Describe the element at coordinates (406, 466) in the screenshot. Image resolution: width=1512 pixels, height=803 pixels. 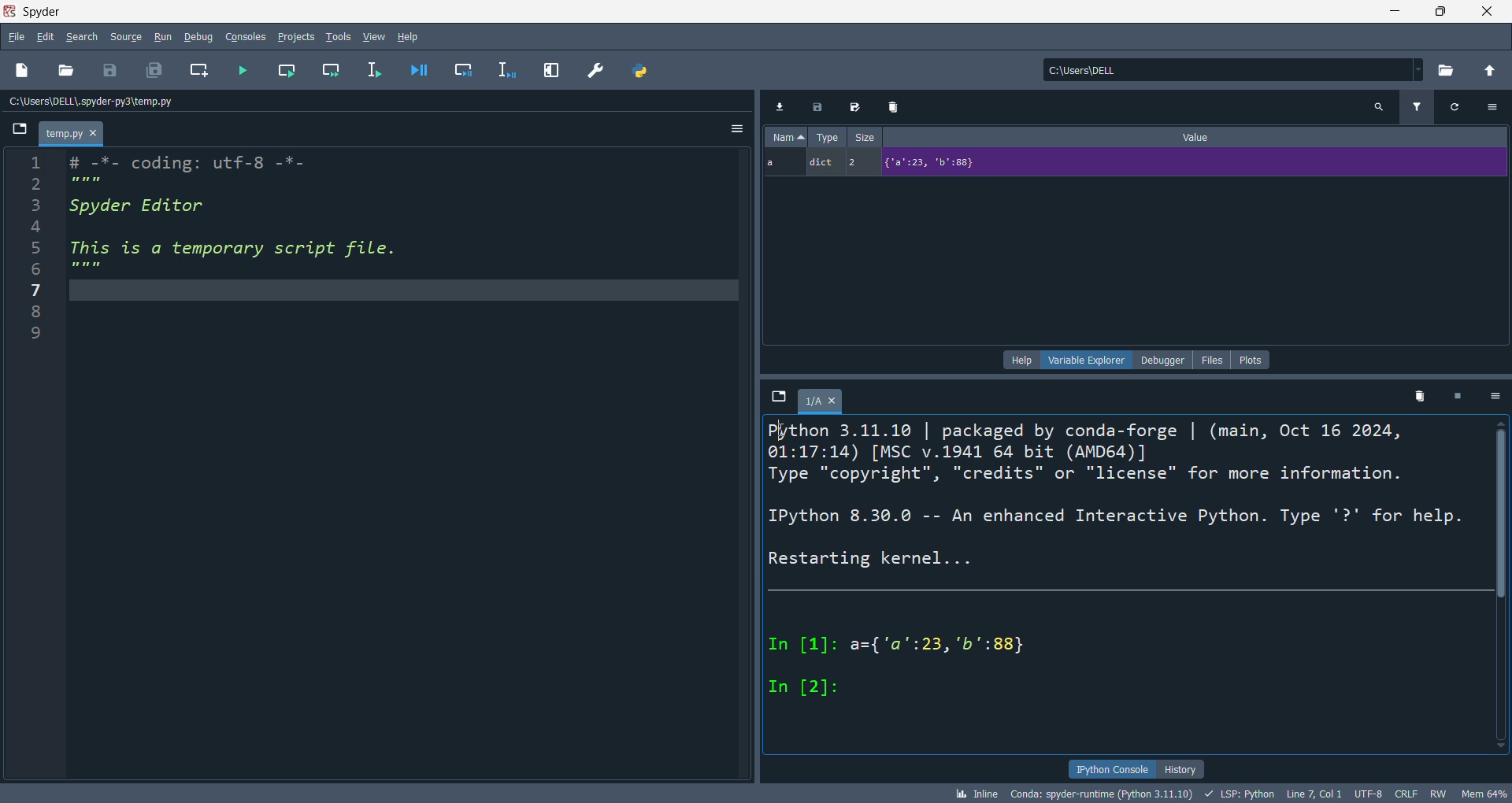
I see `editor Pane` at that location.